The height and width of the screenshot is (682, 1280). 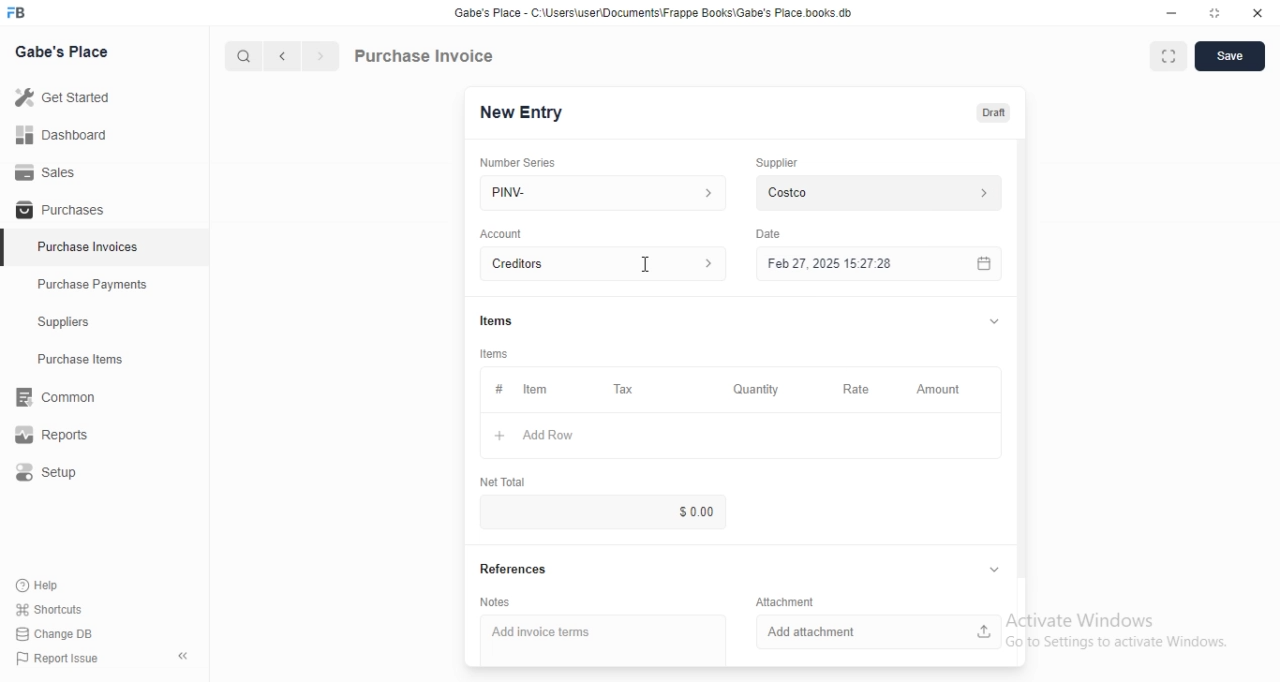 What do you see at coordinates (50, 609) in the screenshot?
I see `Shortcuts` at bounding box center [50, 609].